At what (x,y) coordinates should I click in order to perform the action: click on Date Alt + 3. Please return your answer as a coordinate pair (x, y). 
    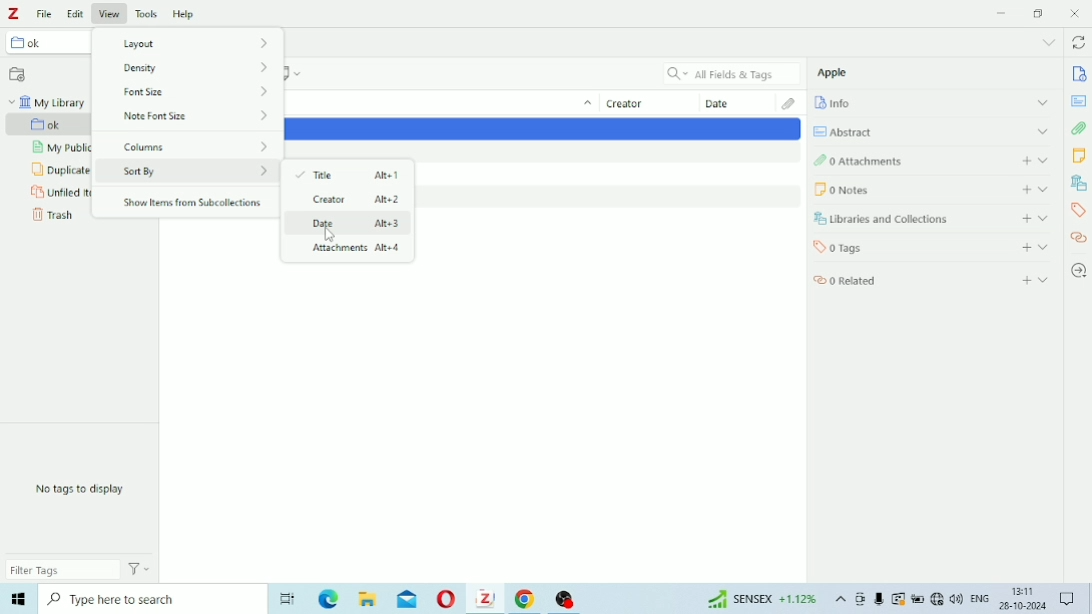
    Looking at the image, I should click on (350, 225).